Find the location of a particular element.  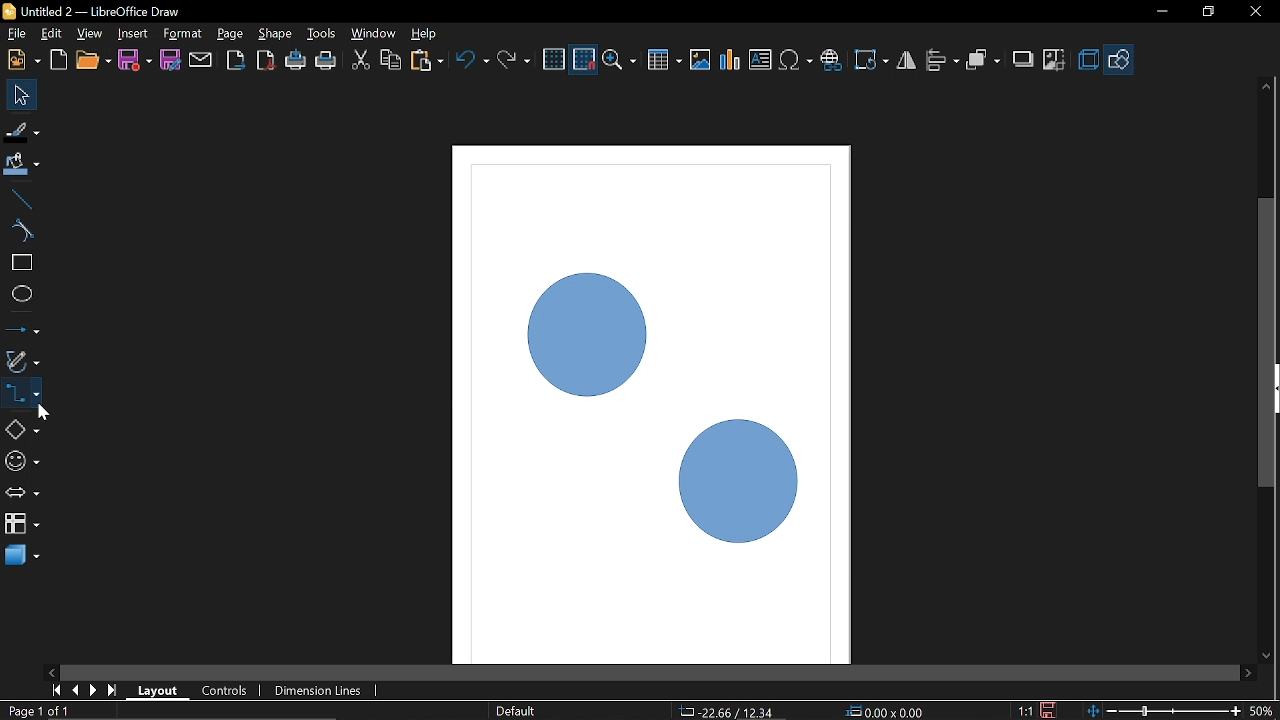

Window is located at coordinates (374, 34).